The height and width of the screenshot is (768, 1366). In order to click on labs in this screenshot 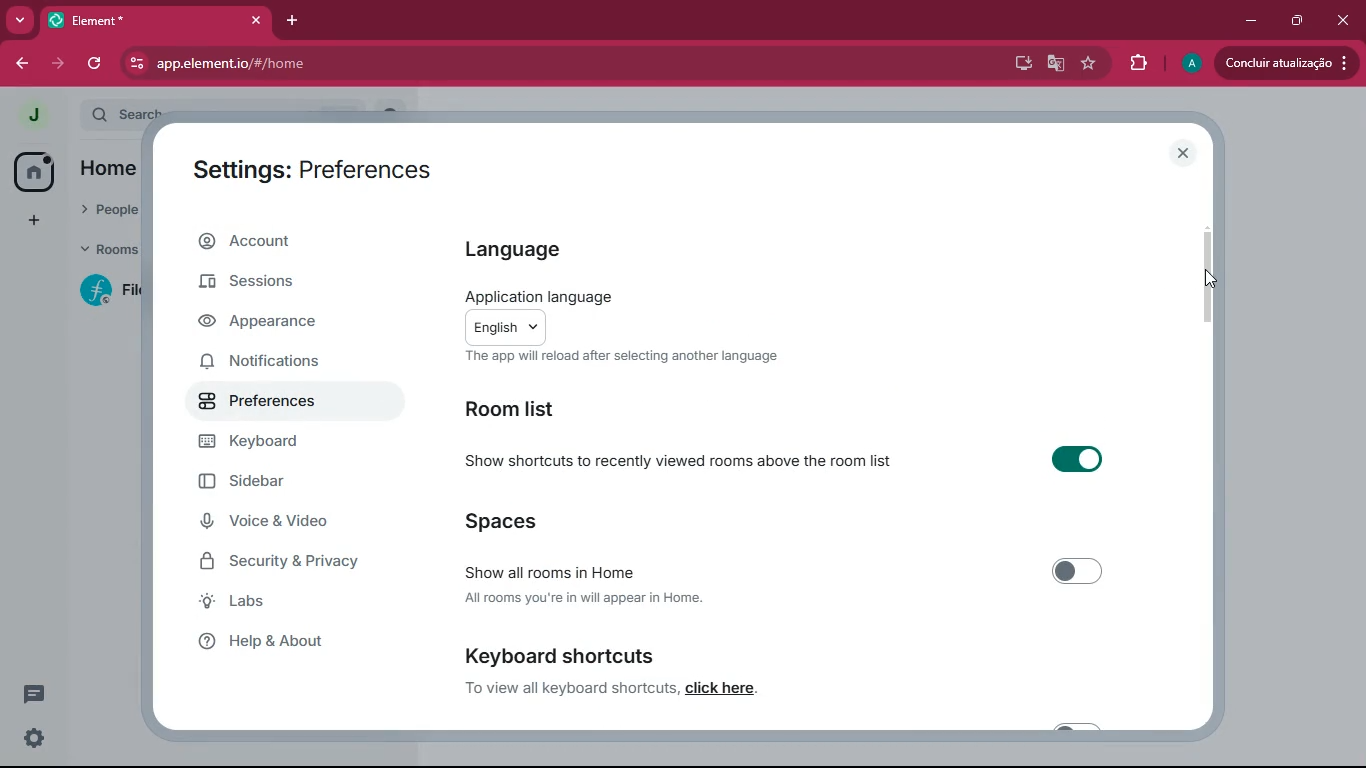, I will do `click(283, 605)`.